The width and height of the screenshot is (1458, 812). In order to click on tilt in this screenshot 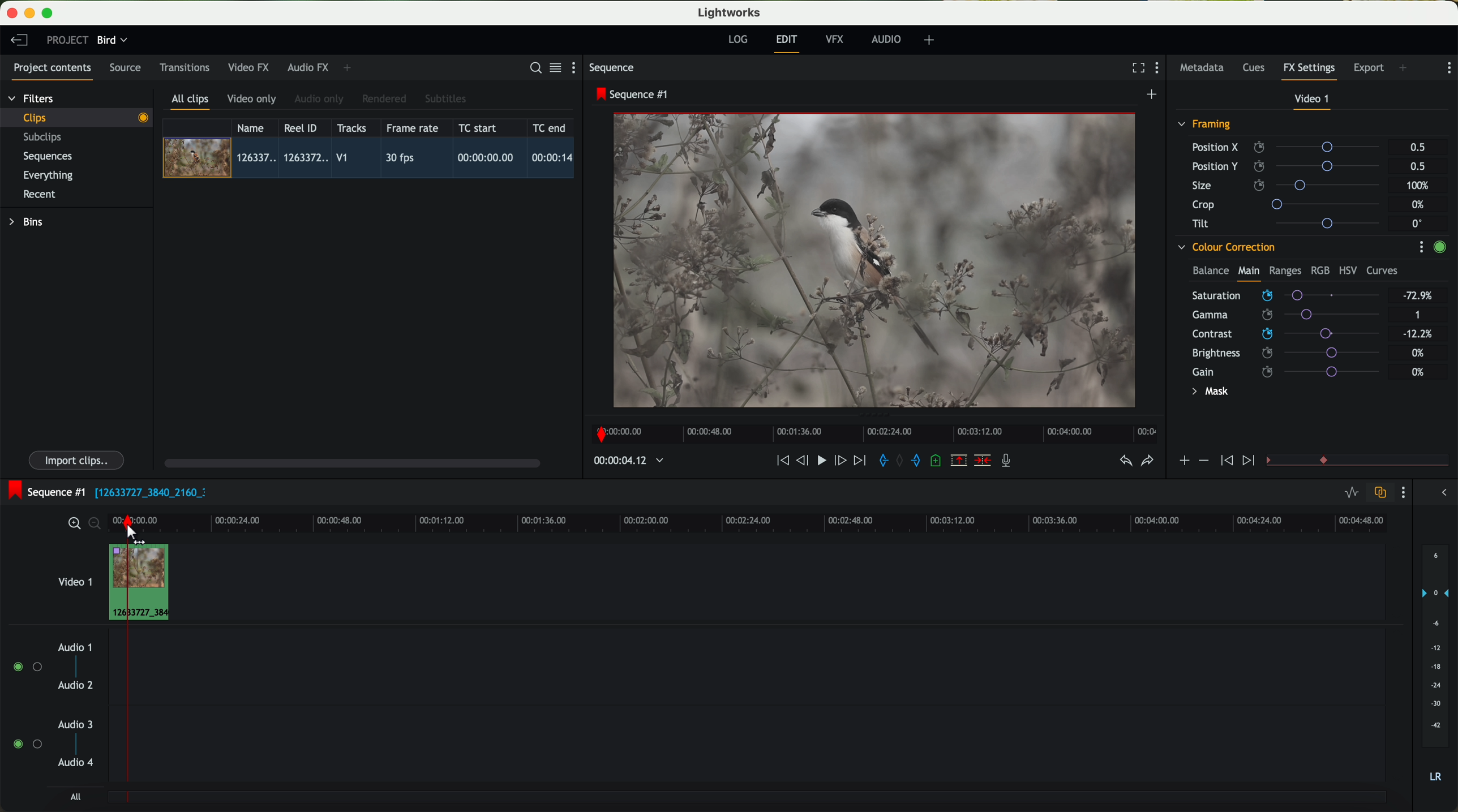, I will do `click(1291, 223)`.